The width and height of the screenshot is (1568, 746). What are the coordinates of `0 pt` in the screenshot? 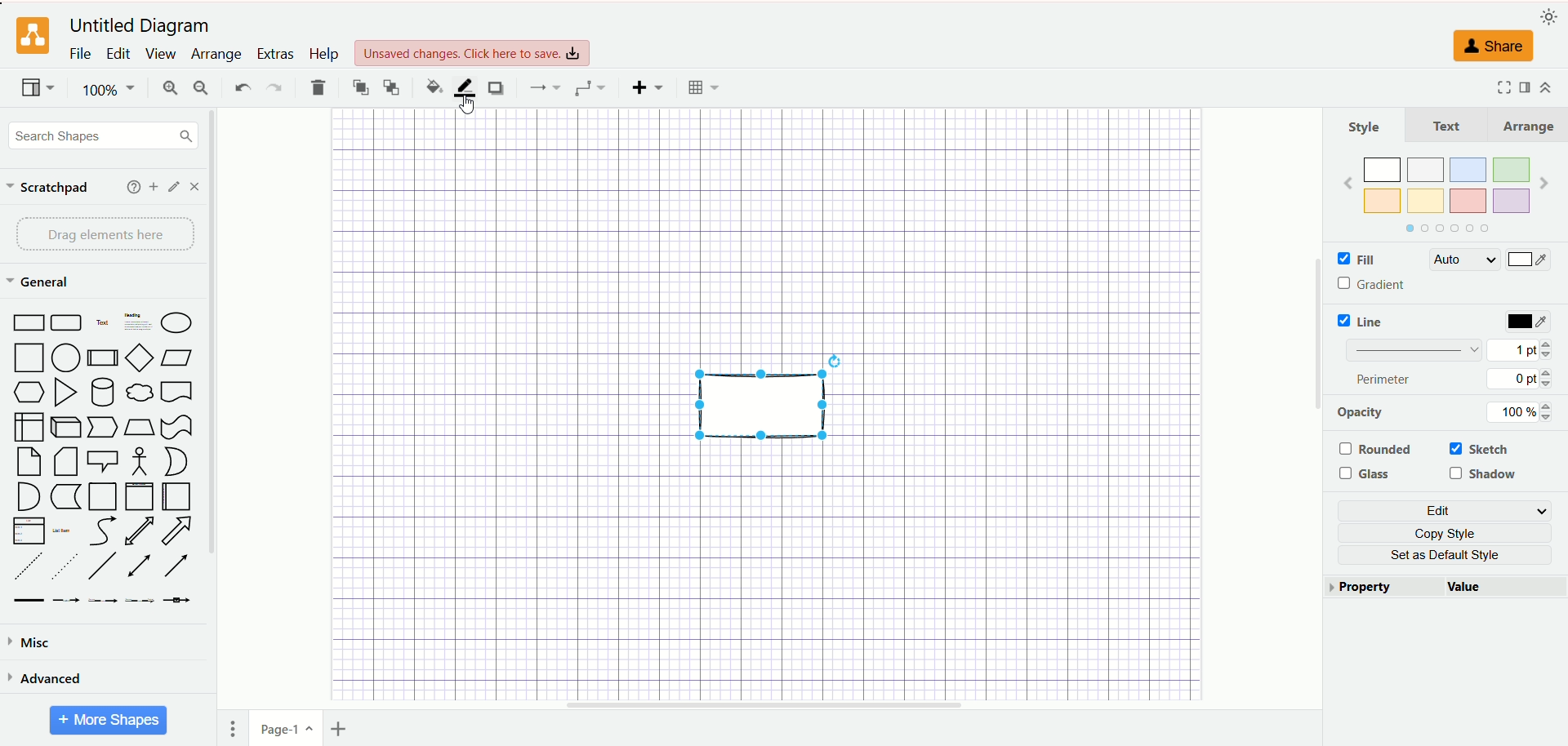 It's located at (1521, 378).